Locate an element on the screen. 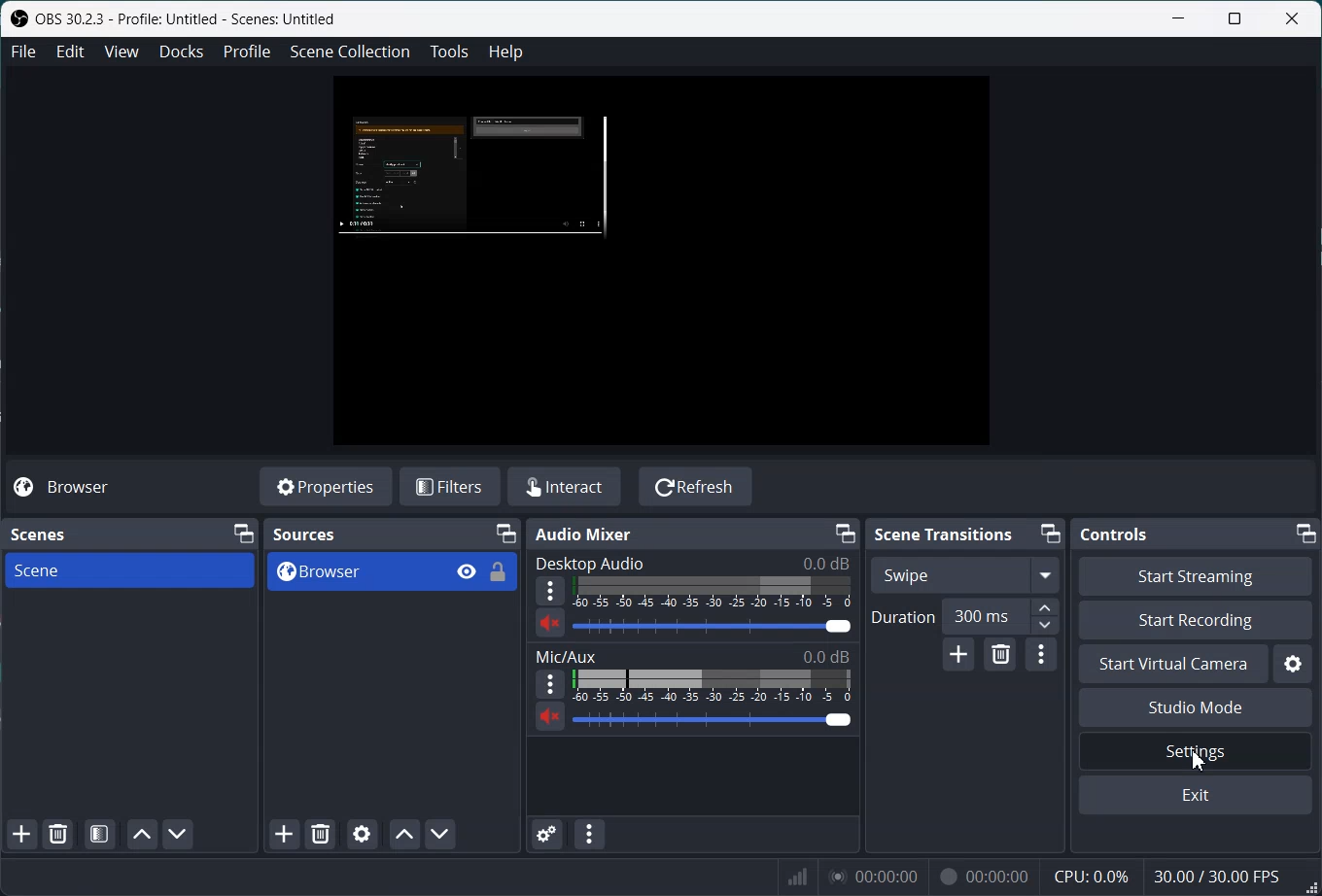  Start Virtual Camera is located at coordinates (1173, 664).